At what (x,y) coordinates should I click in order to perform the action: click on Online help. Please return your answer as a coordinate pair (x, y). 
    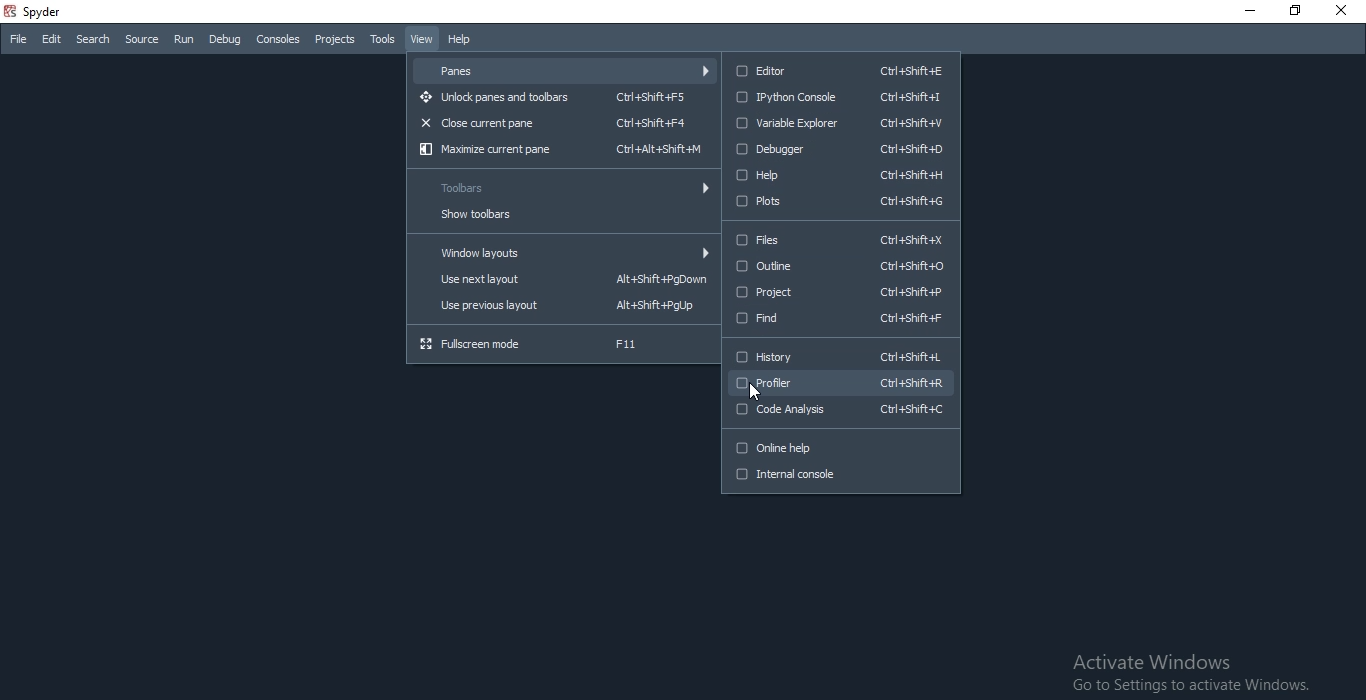
    Looking at the image, I should click on (841, 446).